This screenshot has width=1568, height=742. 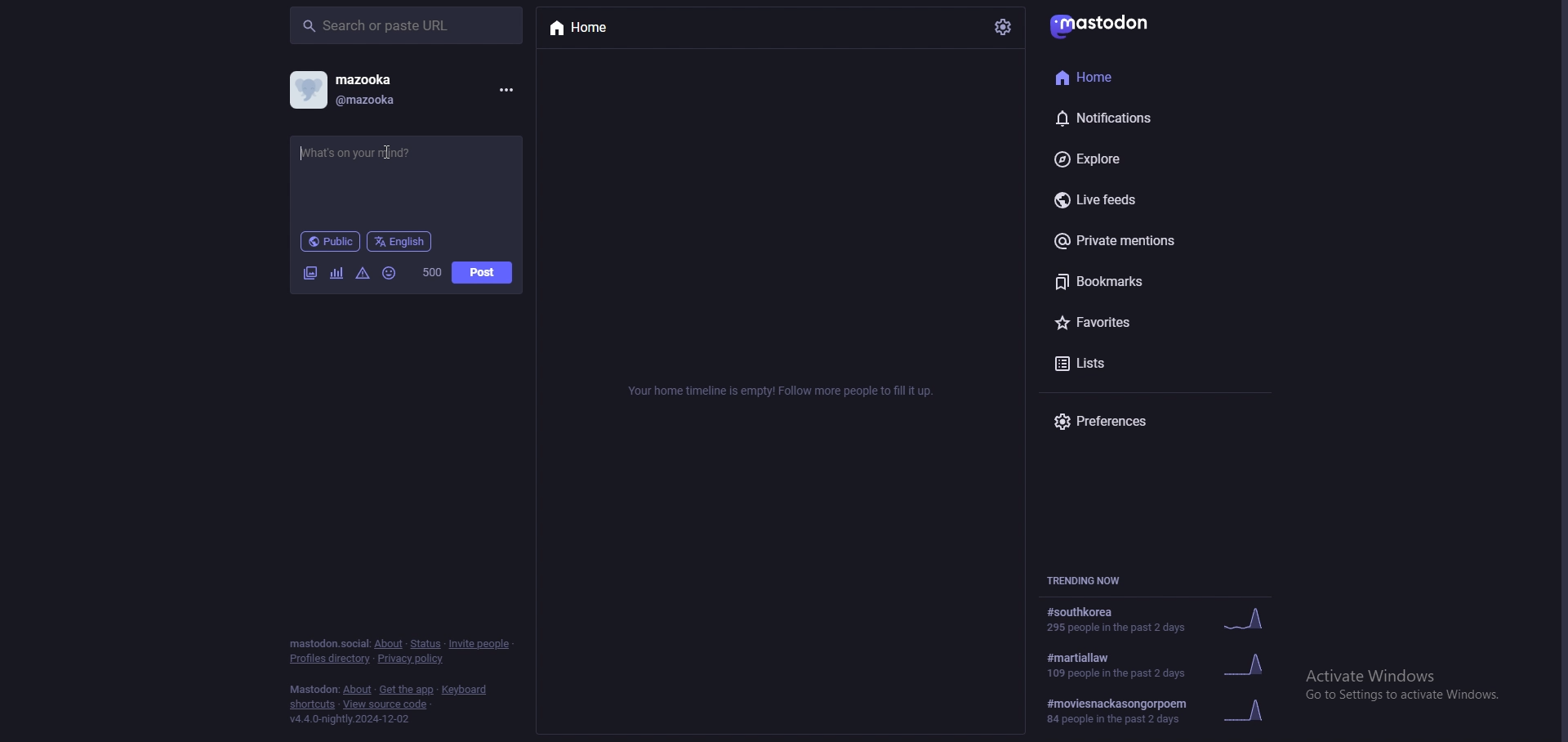 I want to click on trending, so click(x=1163, y=664).